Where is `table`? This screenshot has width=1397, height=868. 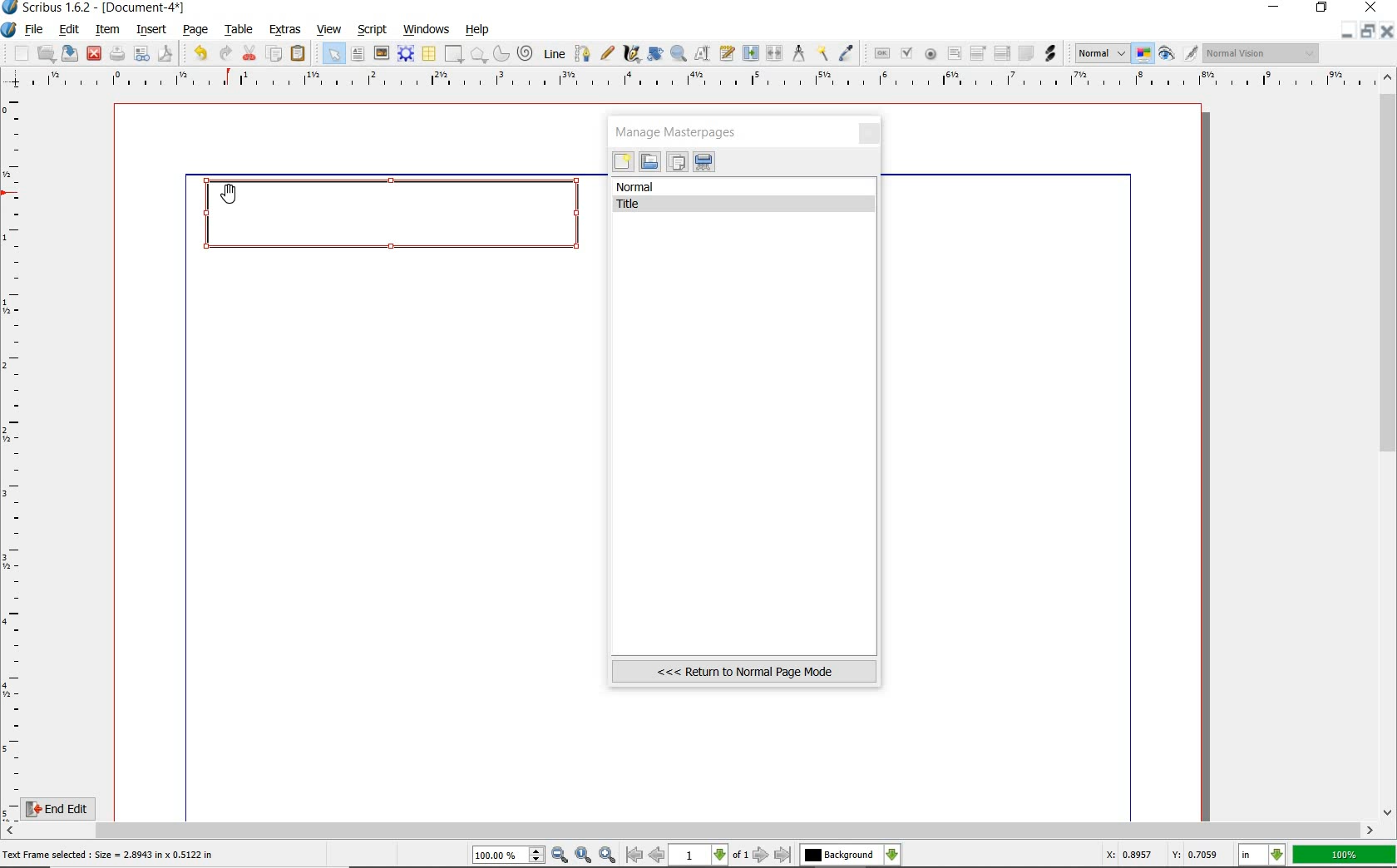
table is located at coordinates (428, 54).